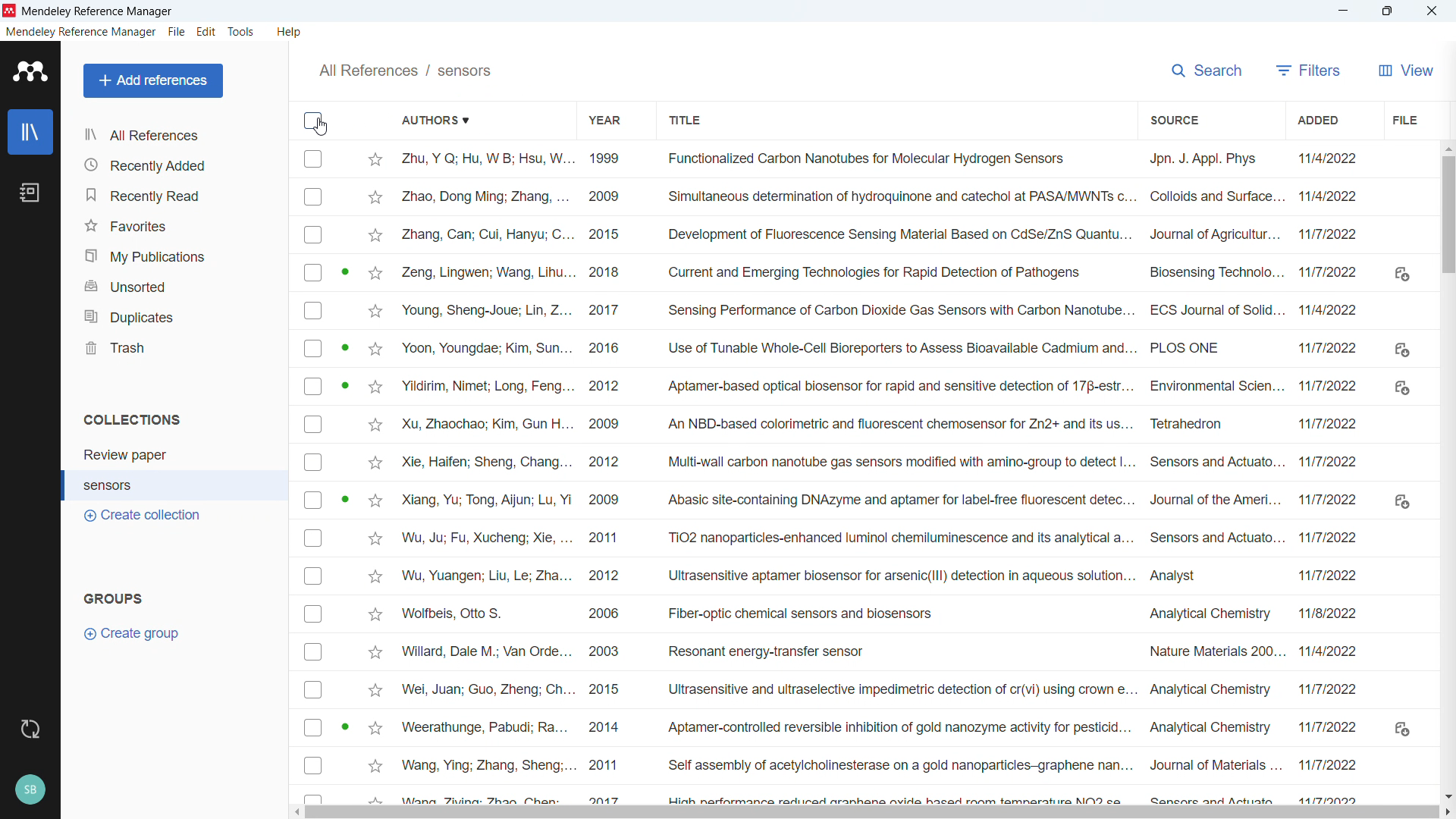  I want to click on Sort by authors , so click(435, 121).